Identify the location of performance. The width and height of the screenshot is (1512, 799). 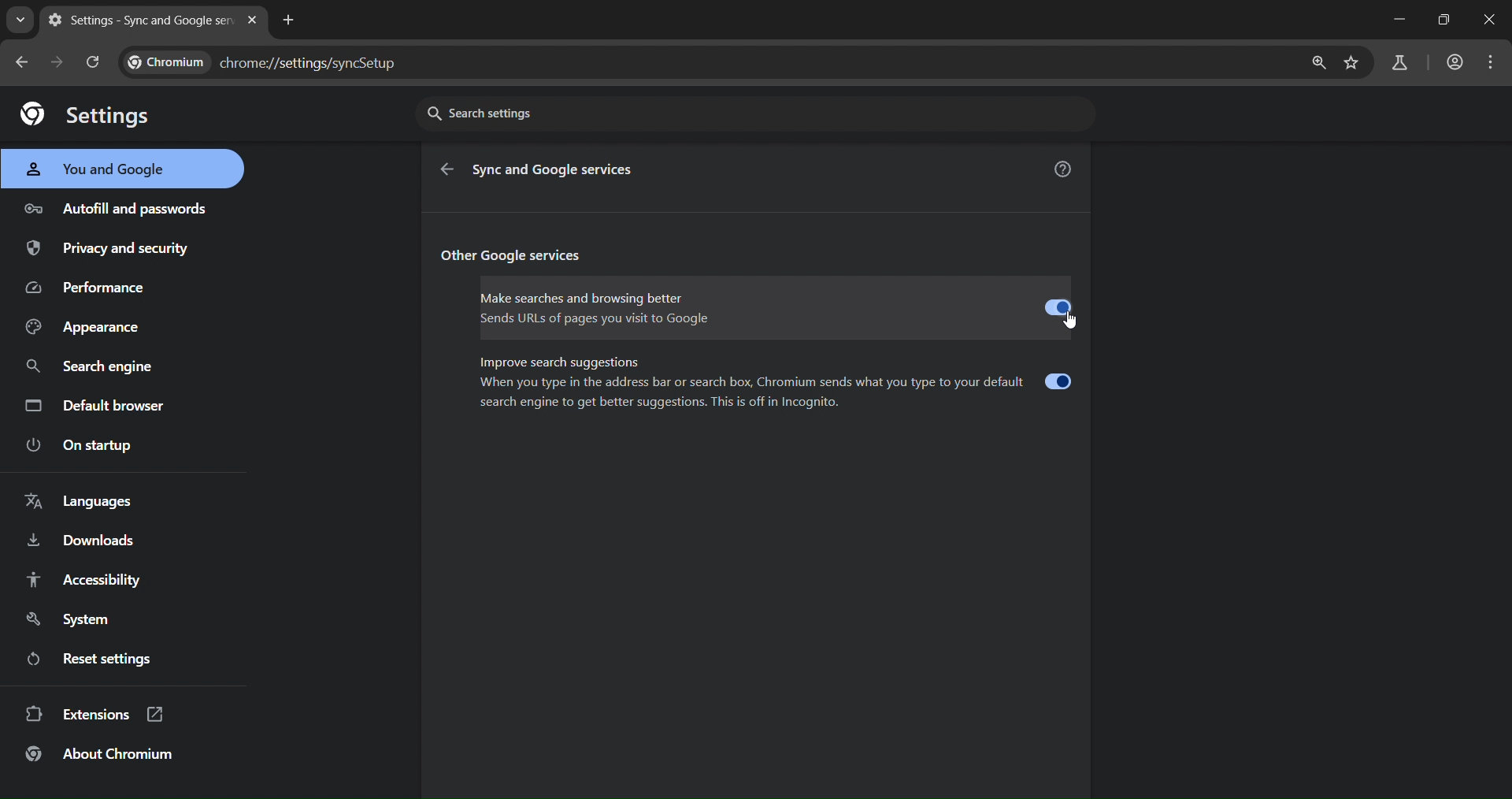
(100, 287).